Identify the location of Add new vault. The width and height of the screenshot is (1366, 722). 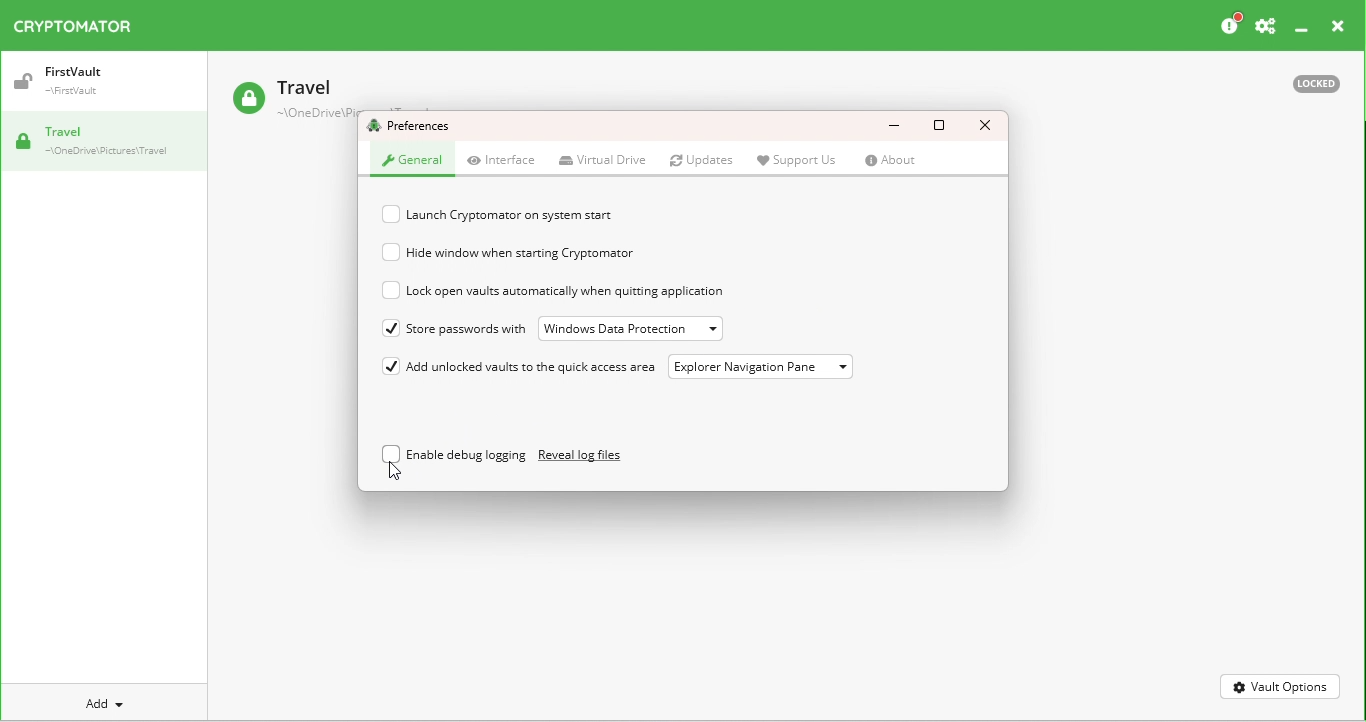
(93, 702).